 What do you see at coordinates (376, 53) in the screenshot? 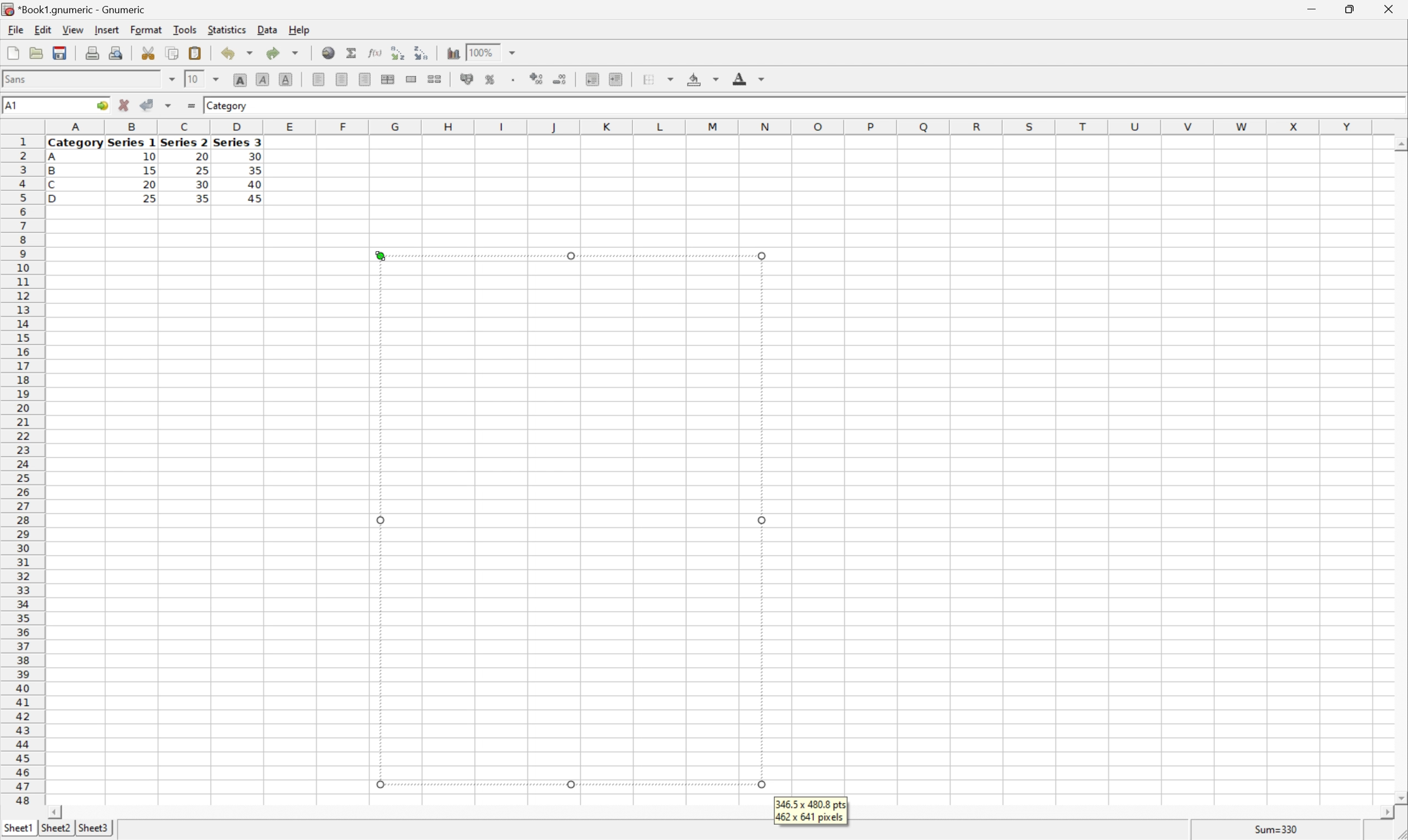
I see `Edit function in current cell` at bounding box center [376, 53].